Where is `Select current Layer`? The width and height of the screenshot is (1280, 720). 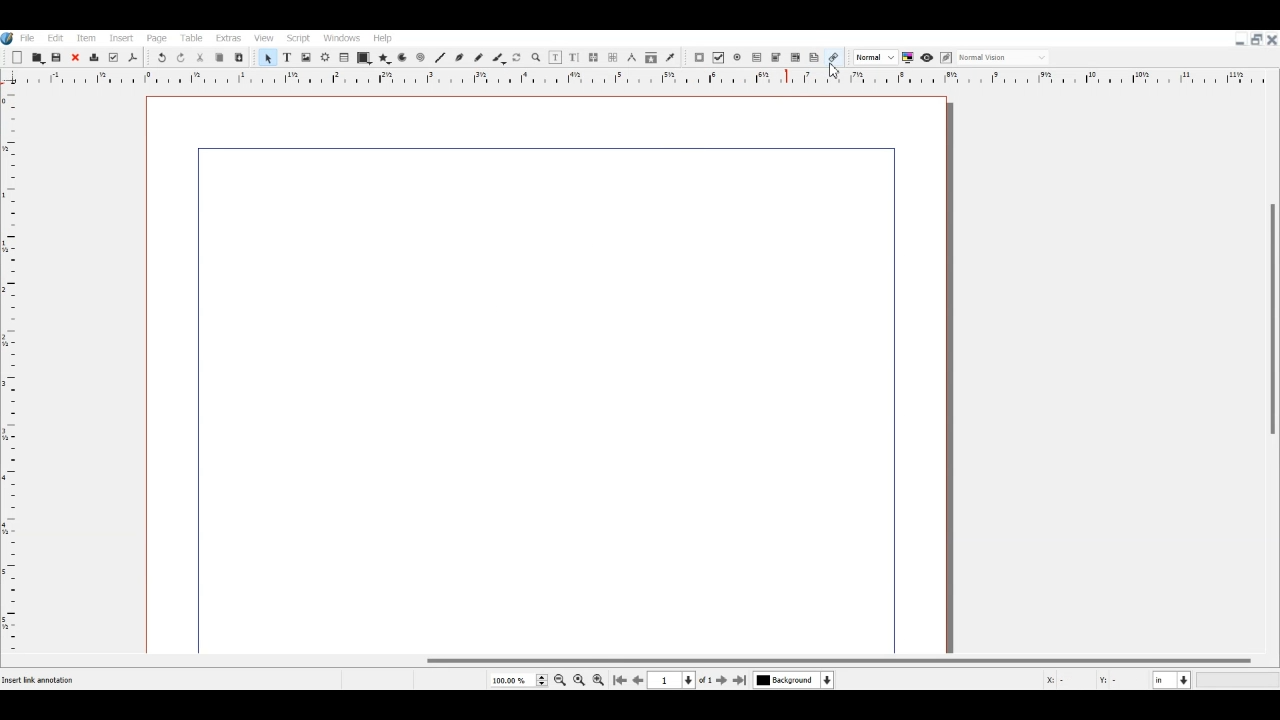 Select current Layer is located at coordinates (796, 681).